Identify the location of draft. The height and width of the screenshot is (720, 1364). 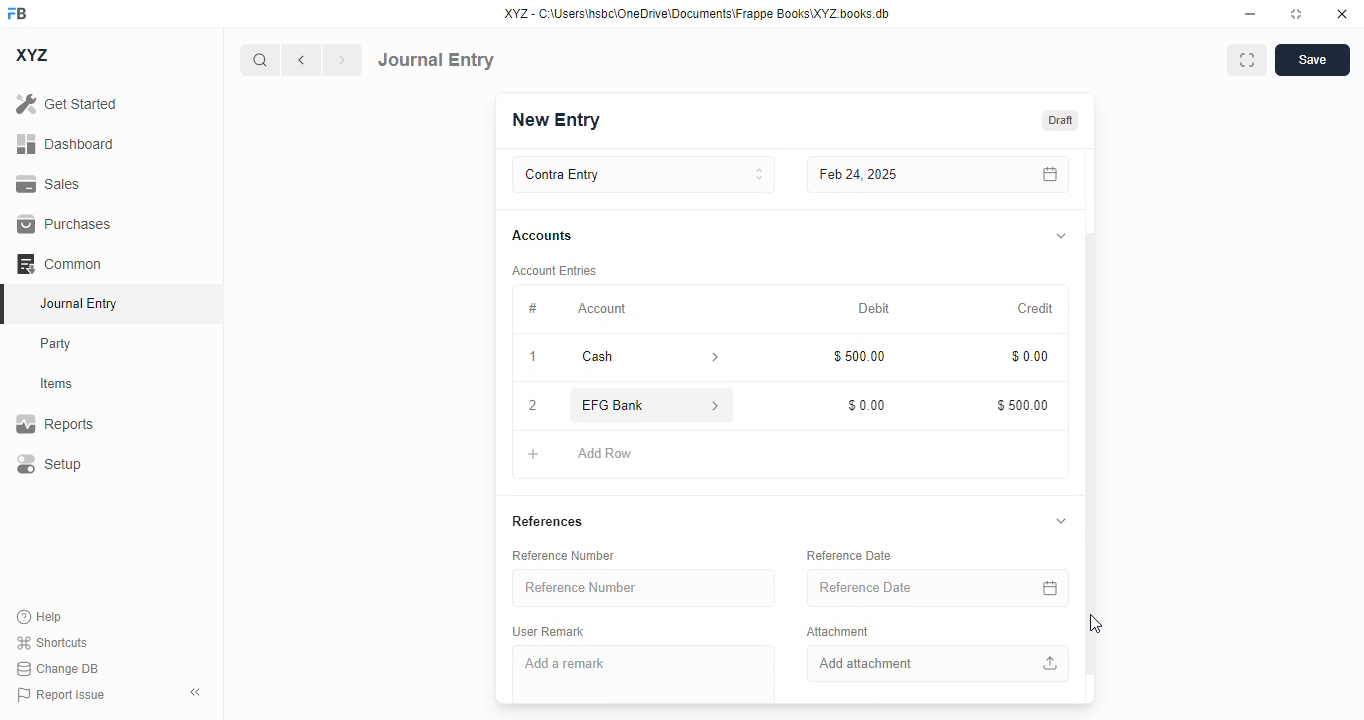
(1061, 119).